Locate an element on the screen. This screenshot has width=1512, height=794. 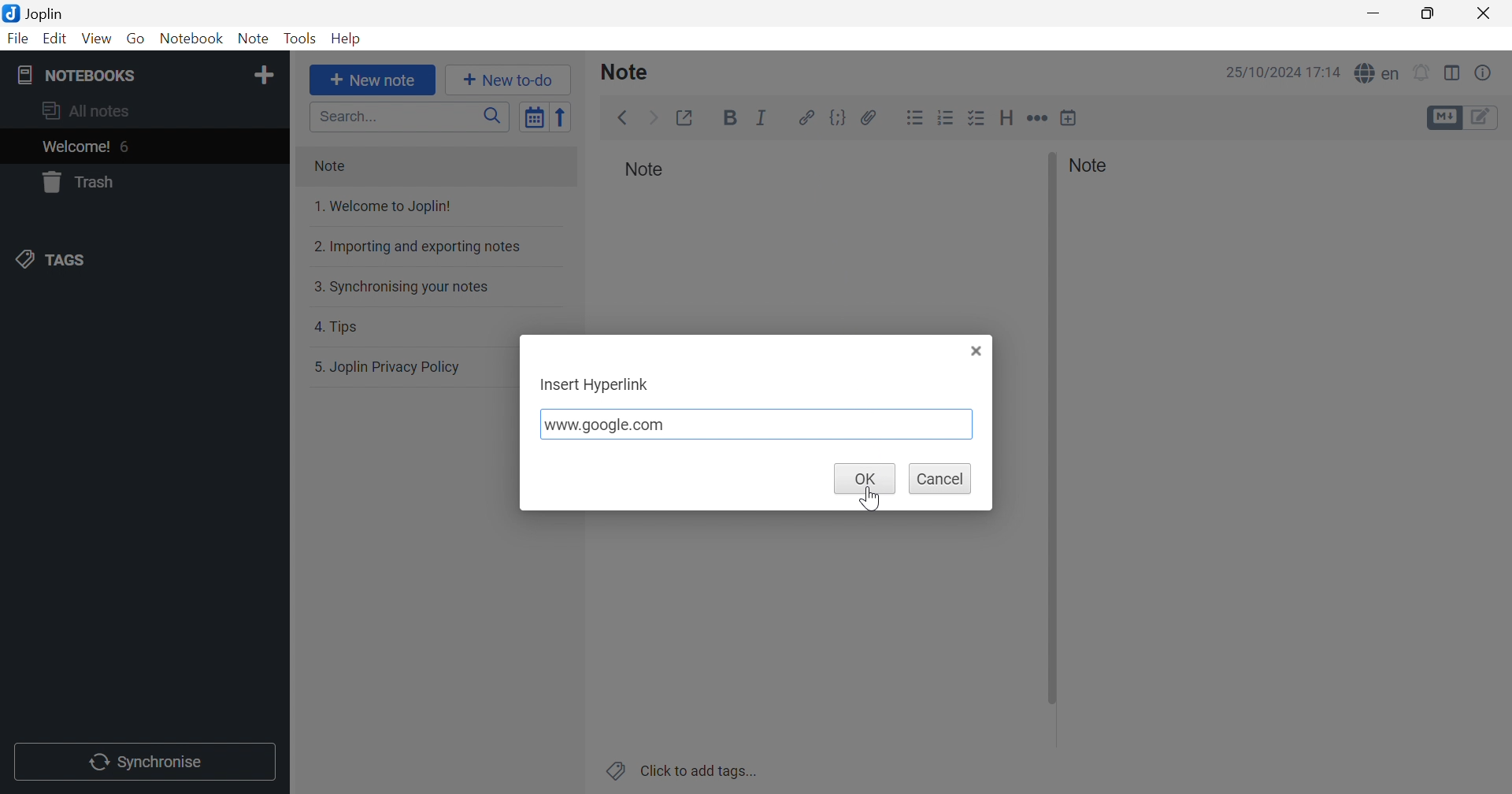
Trash is located at coordinates (141, 182).